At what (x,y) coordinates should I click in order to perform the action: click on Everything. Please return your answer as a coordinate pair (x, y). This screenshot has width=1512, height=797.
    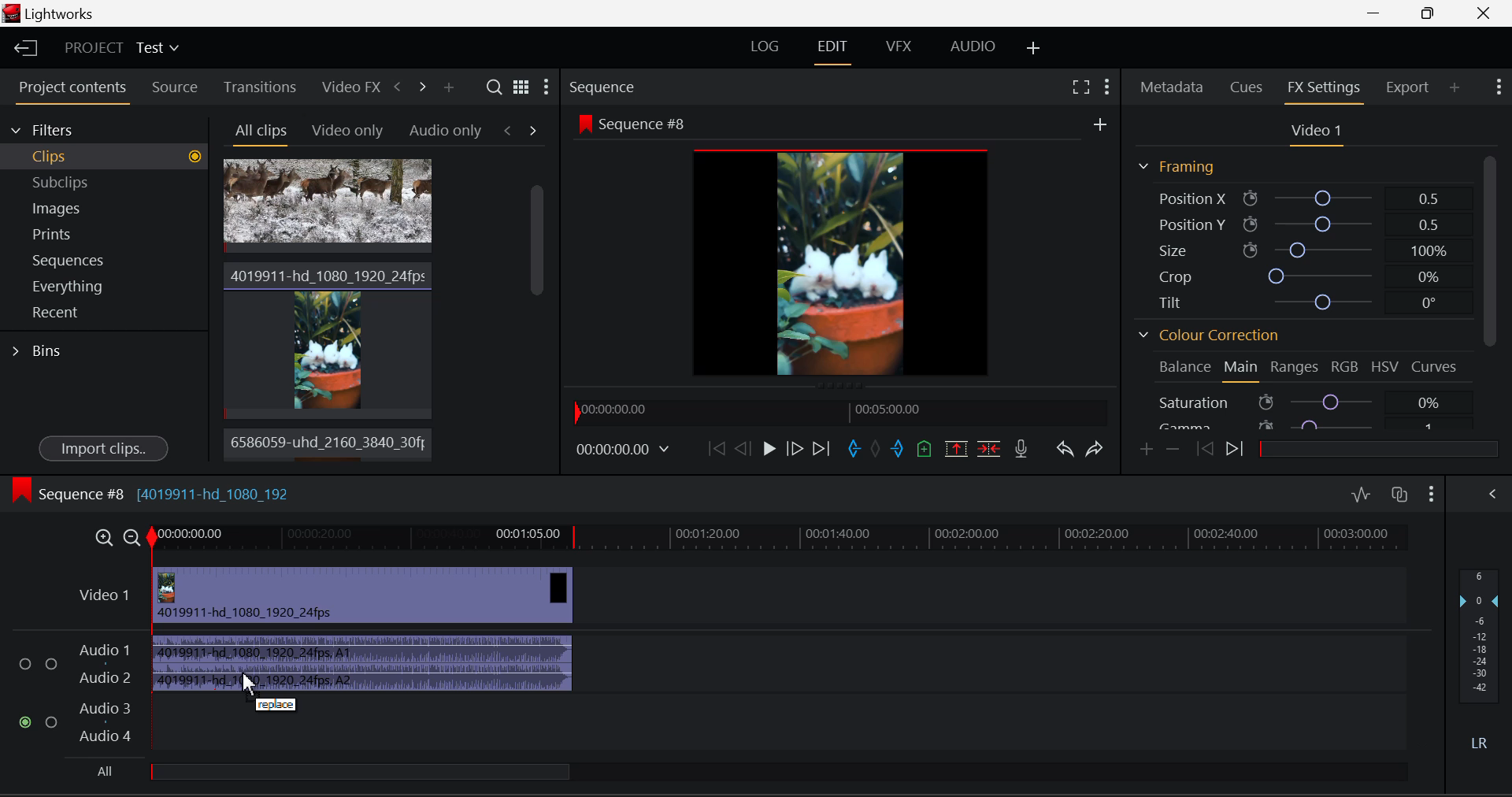
    Looking at the image, I should click on (106, 287).